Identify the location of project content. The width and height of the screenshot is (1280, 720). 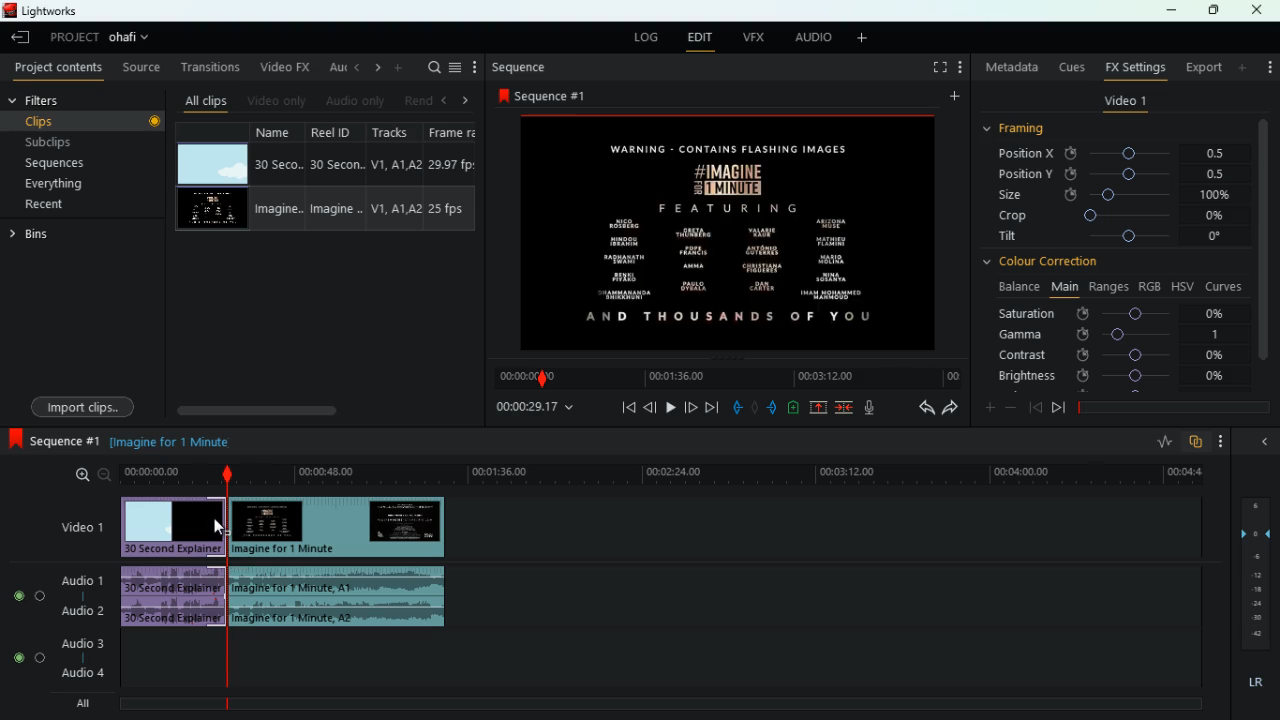
(59, 69).